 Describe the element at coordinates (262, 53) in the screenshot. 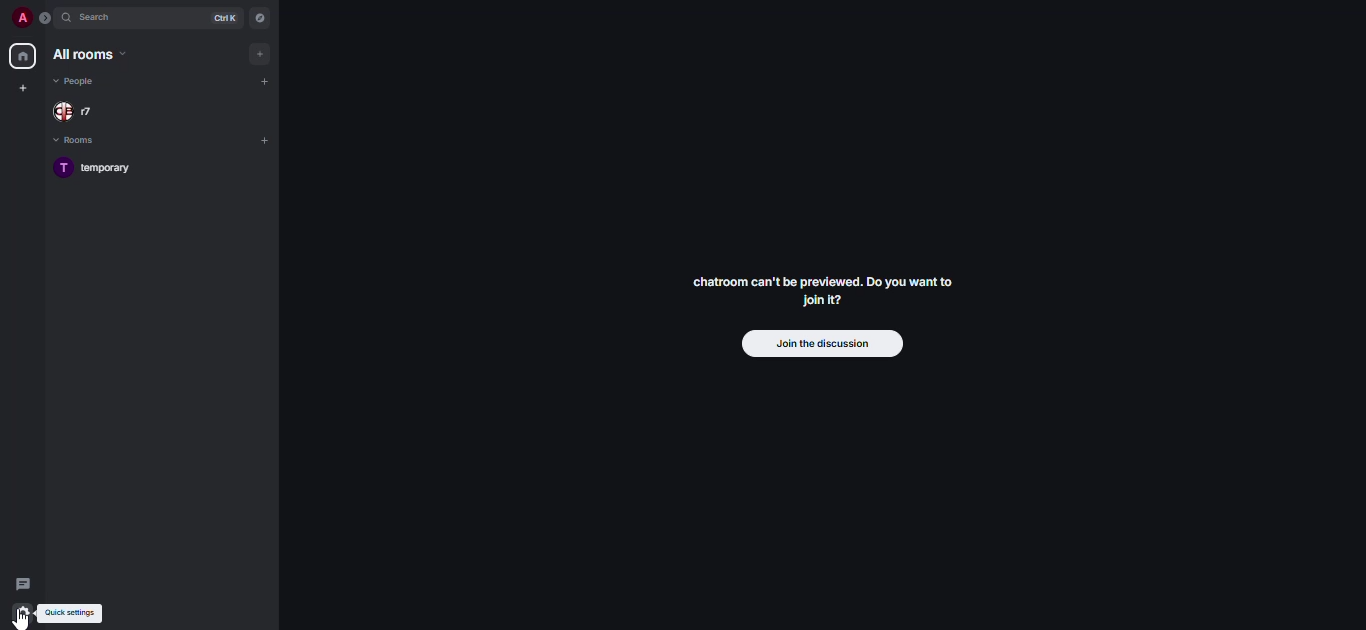

I see `add` at that location.